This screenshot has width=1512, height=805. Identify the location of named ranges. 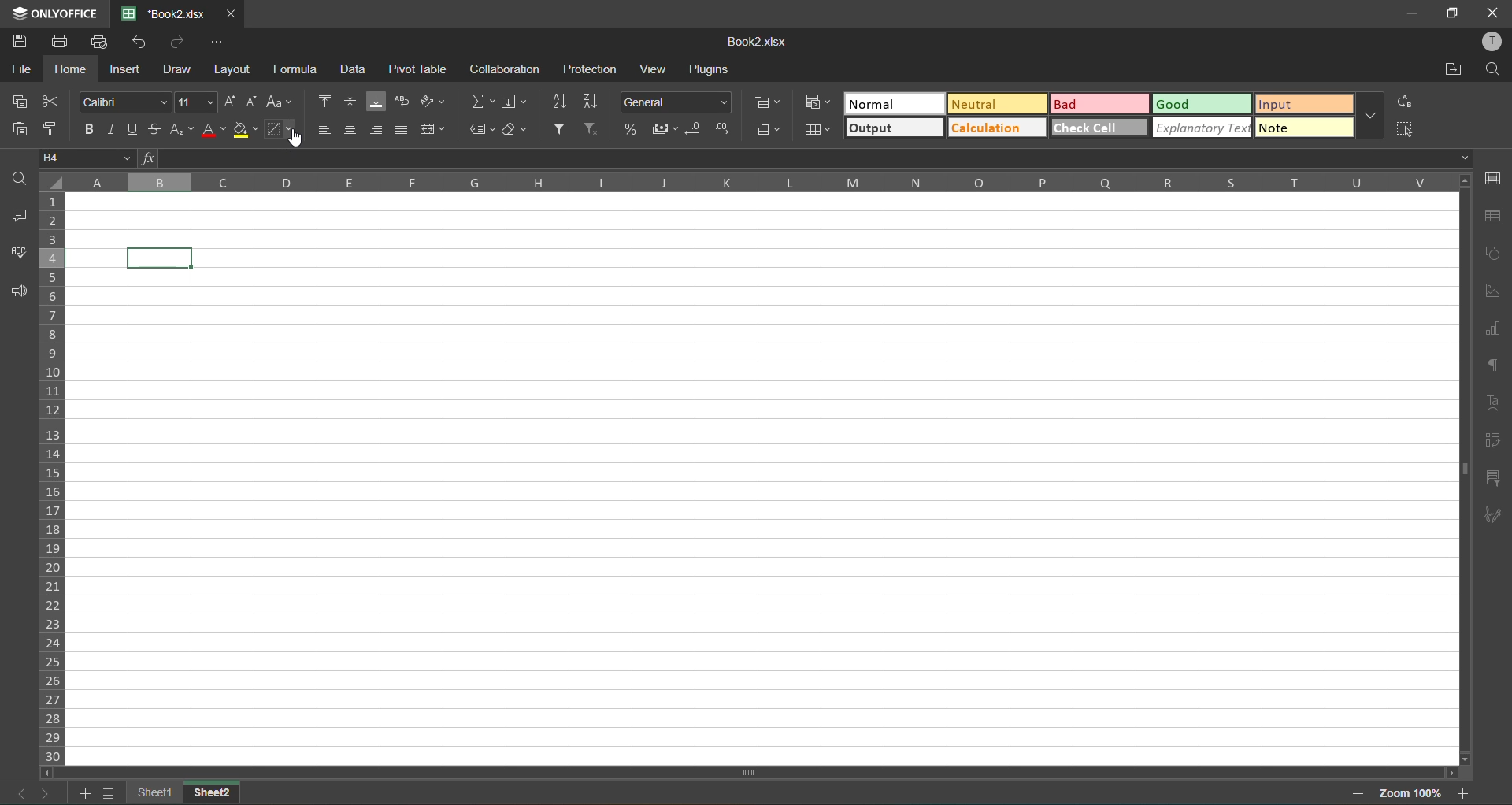
(484, 130).